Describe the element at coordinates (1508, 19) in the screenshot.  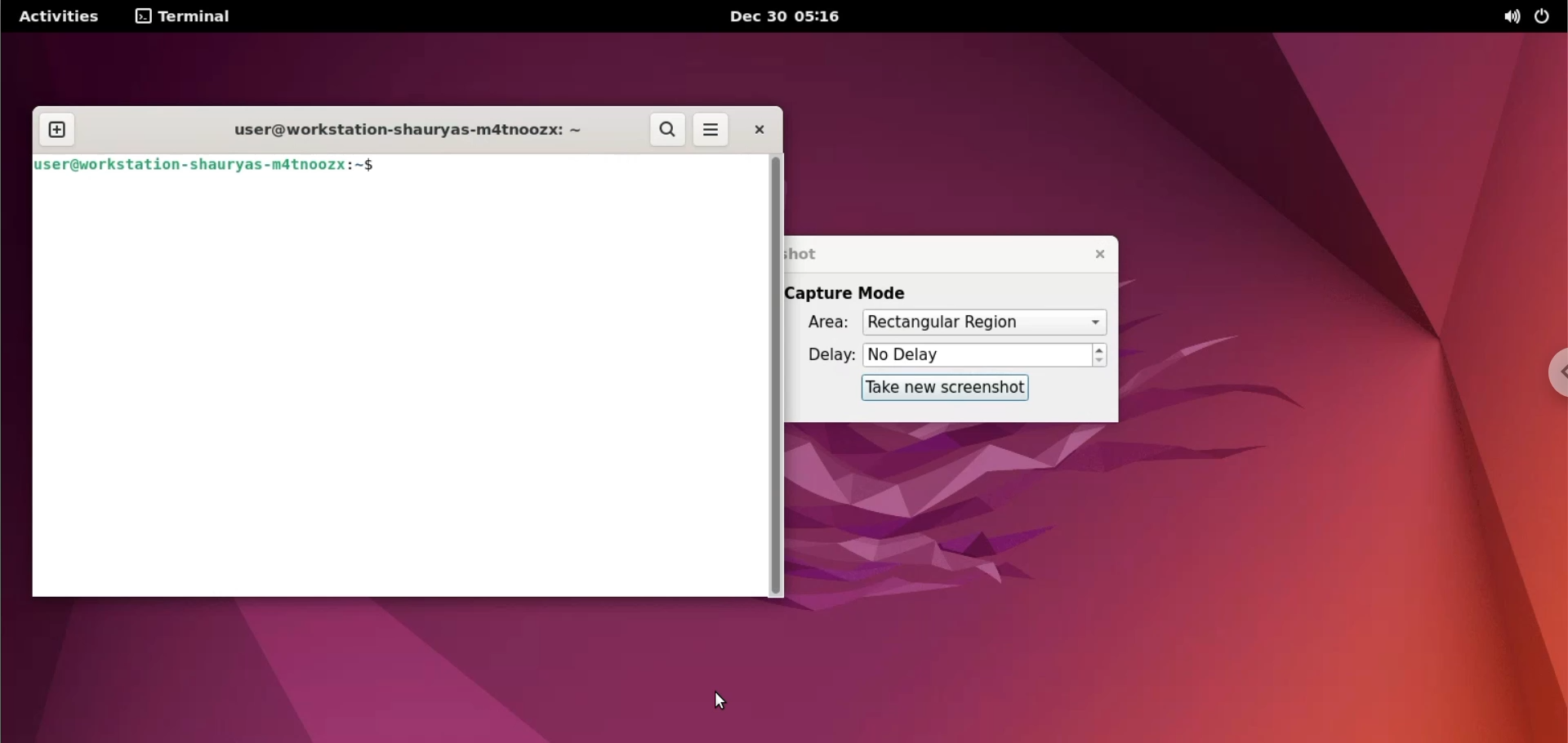
I see `sound options` at that location.